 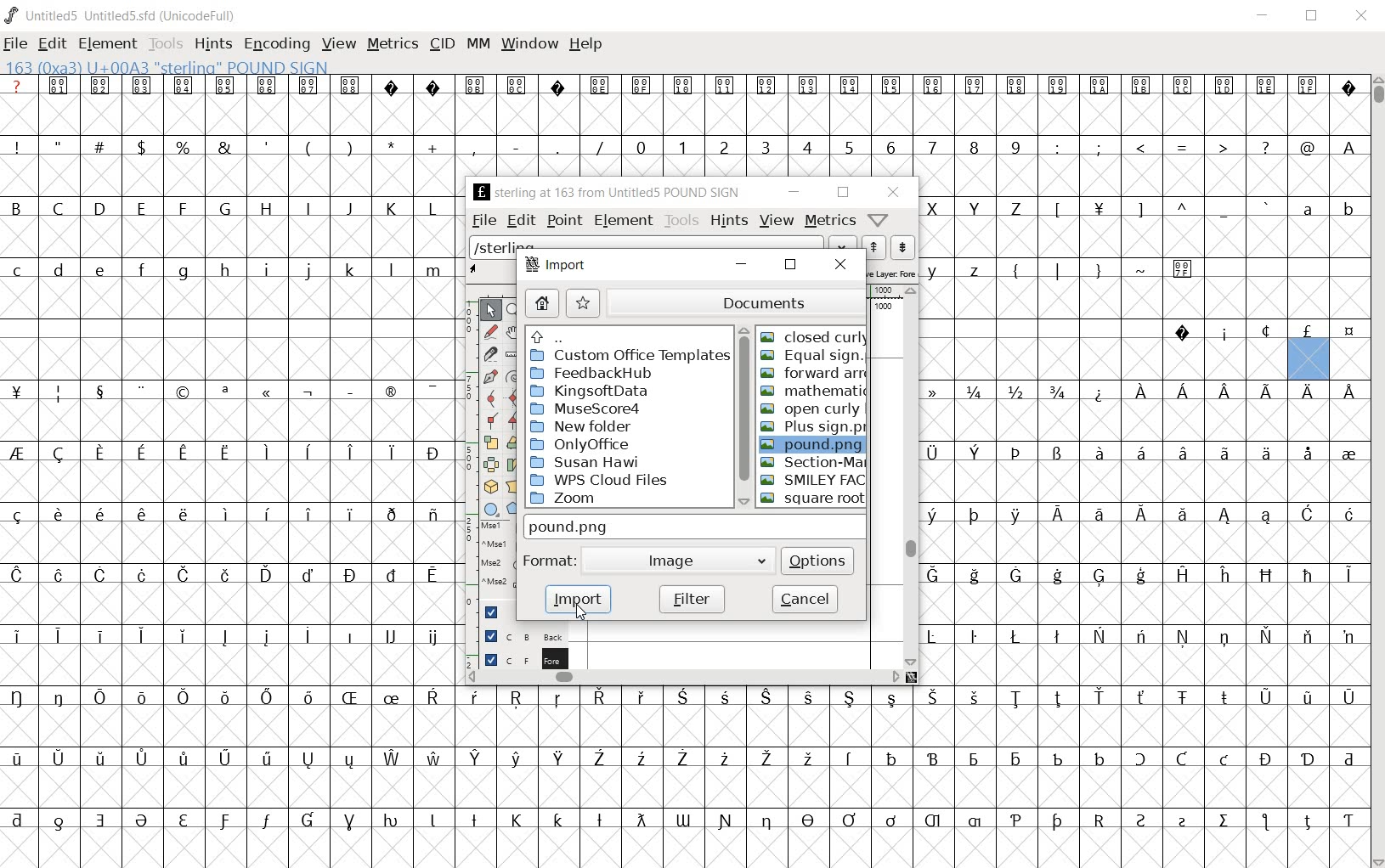 What do you see at coordinates (514, 759) in the screenshot?
I see `Symbol` at bounding box center [514, 759].